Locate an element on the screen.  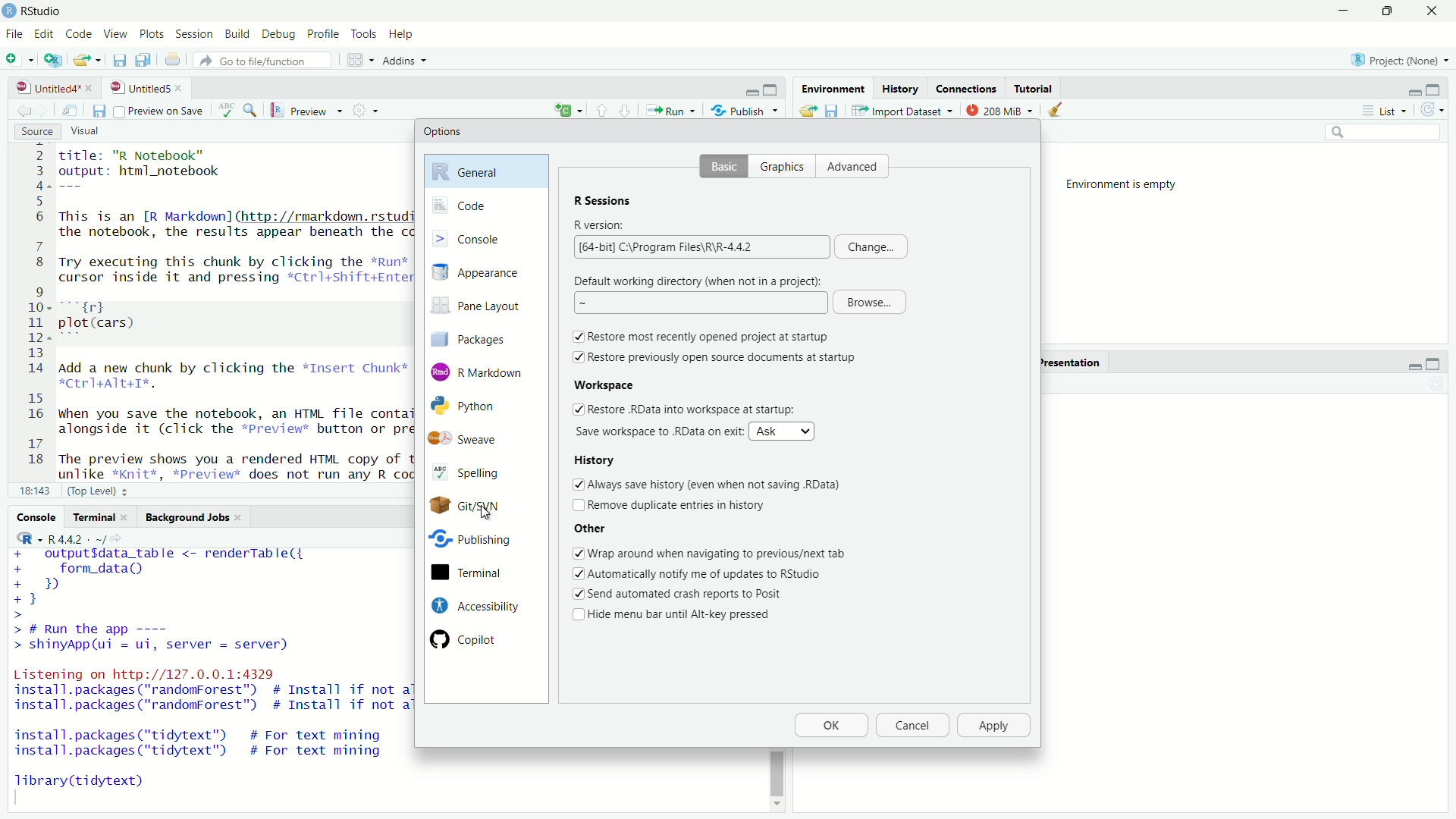
Default working directory (when not in a project): is located at coordinates (699, 280).